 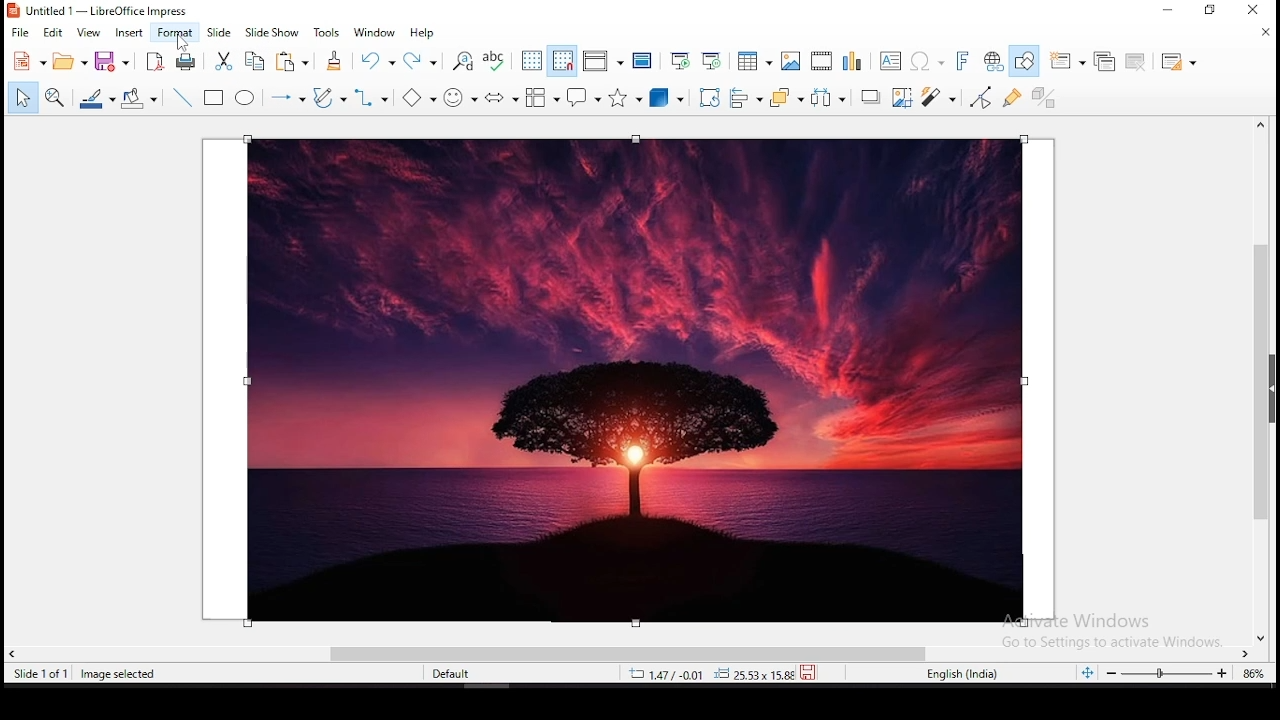 I want to click on slide 1 of 1, so click(x=44, y=674).